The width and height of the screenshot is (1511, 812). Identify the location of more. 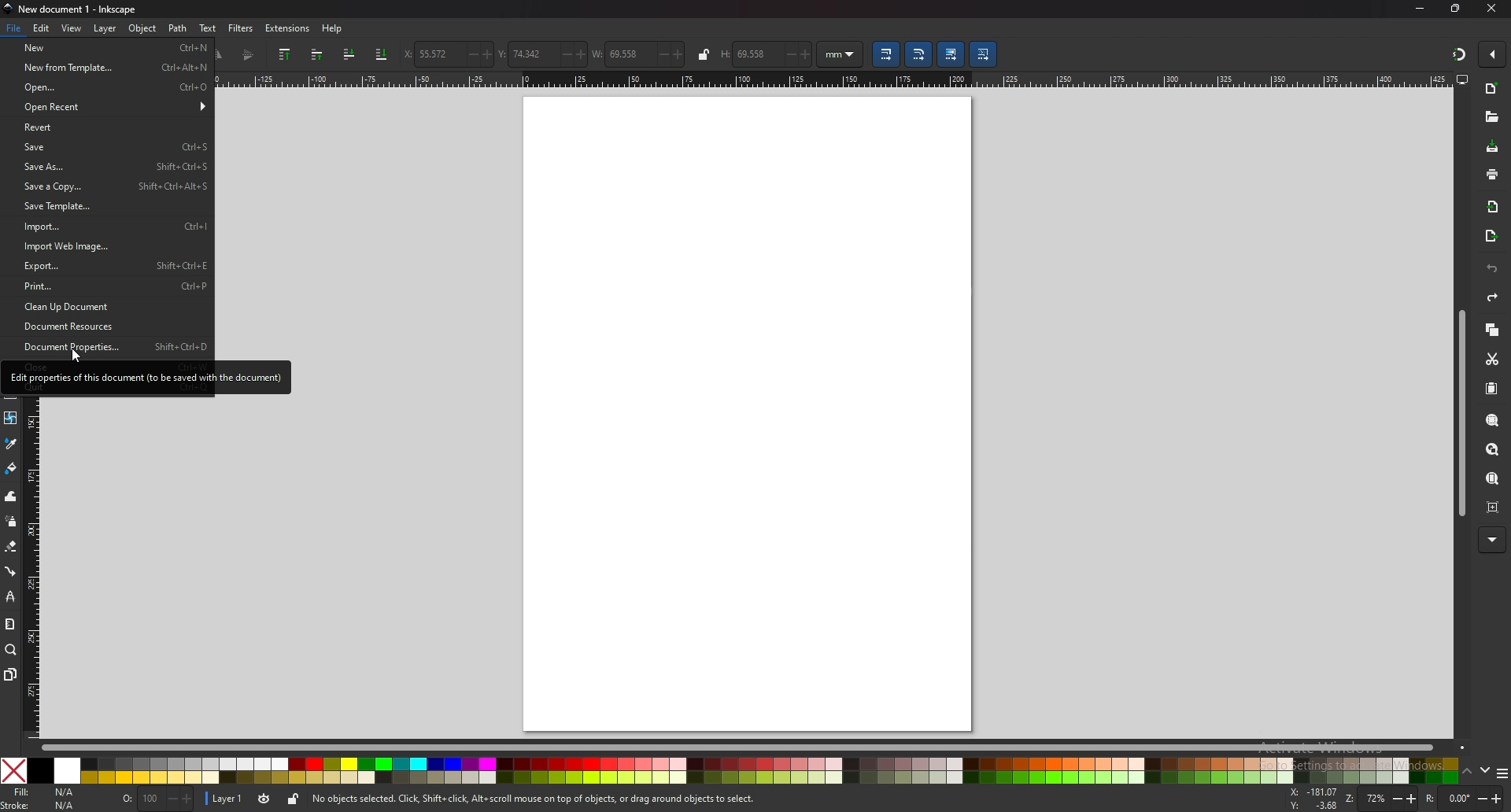
(1492, 541).